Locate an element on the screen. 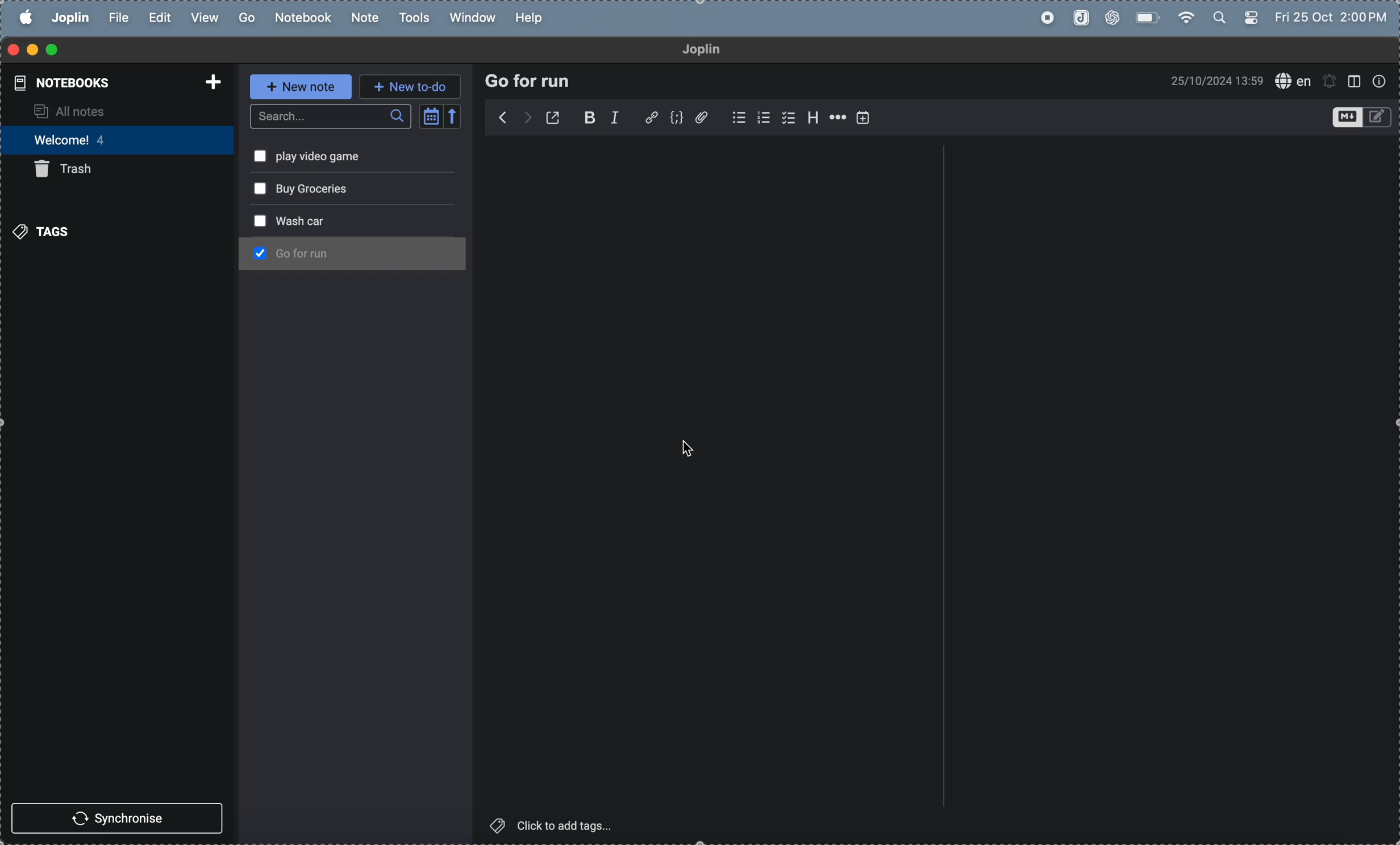  forward is located at coordinates (502, 118).